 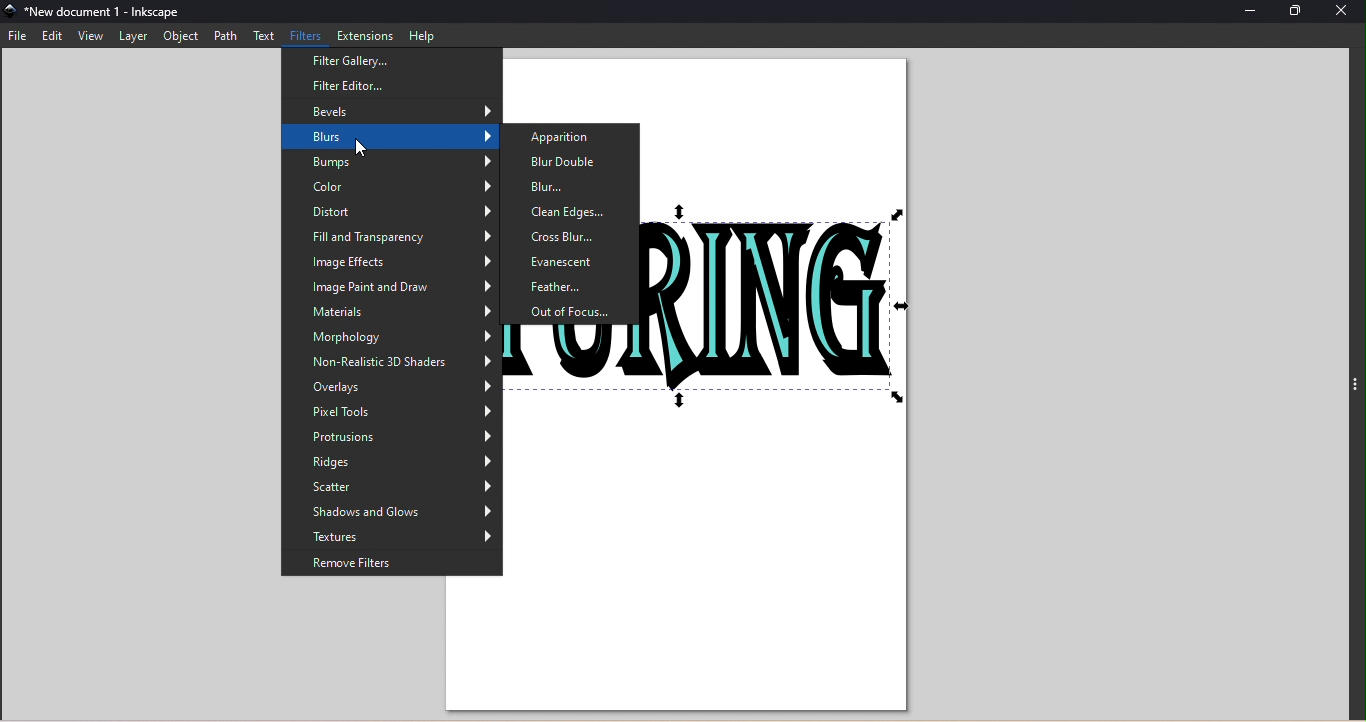 I want to click on Pixel tools, so click(x=391, y=409).